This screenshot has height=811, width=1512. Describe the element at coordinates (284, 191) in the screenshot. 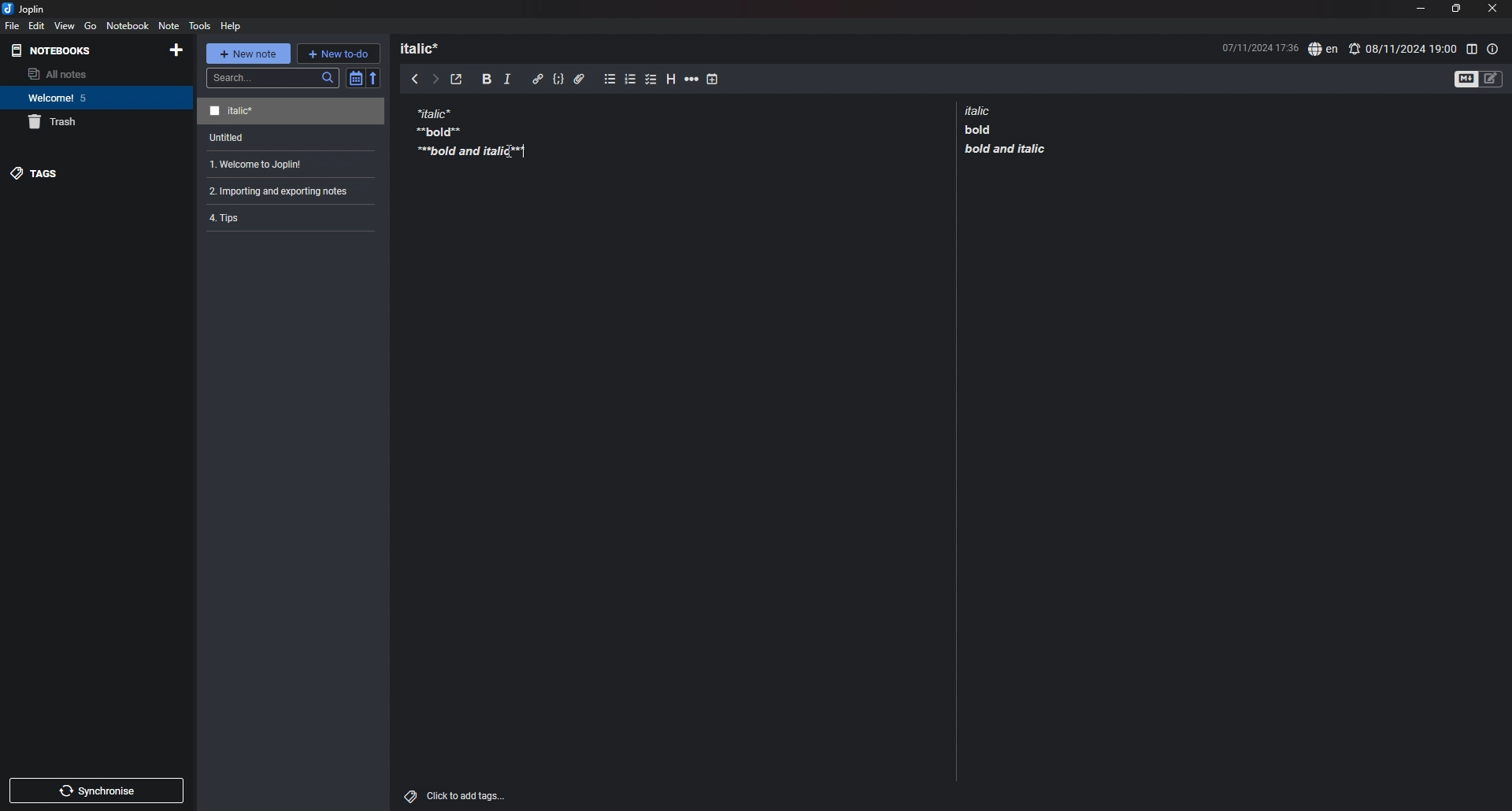

I see `note` at that location.